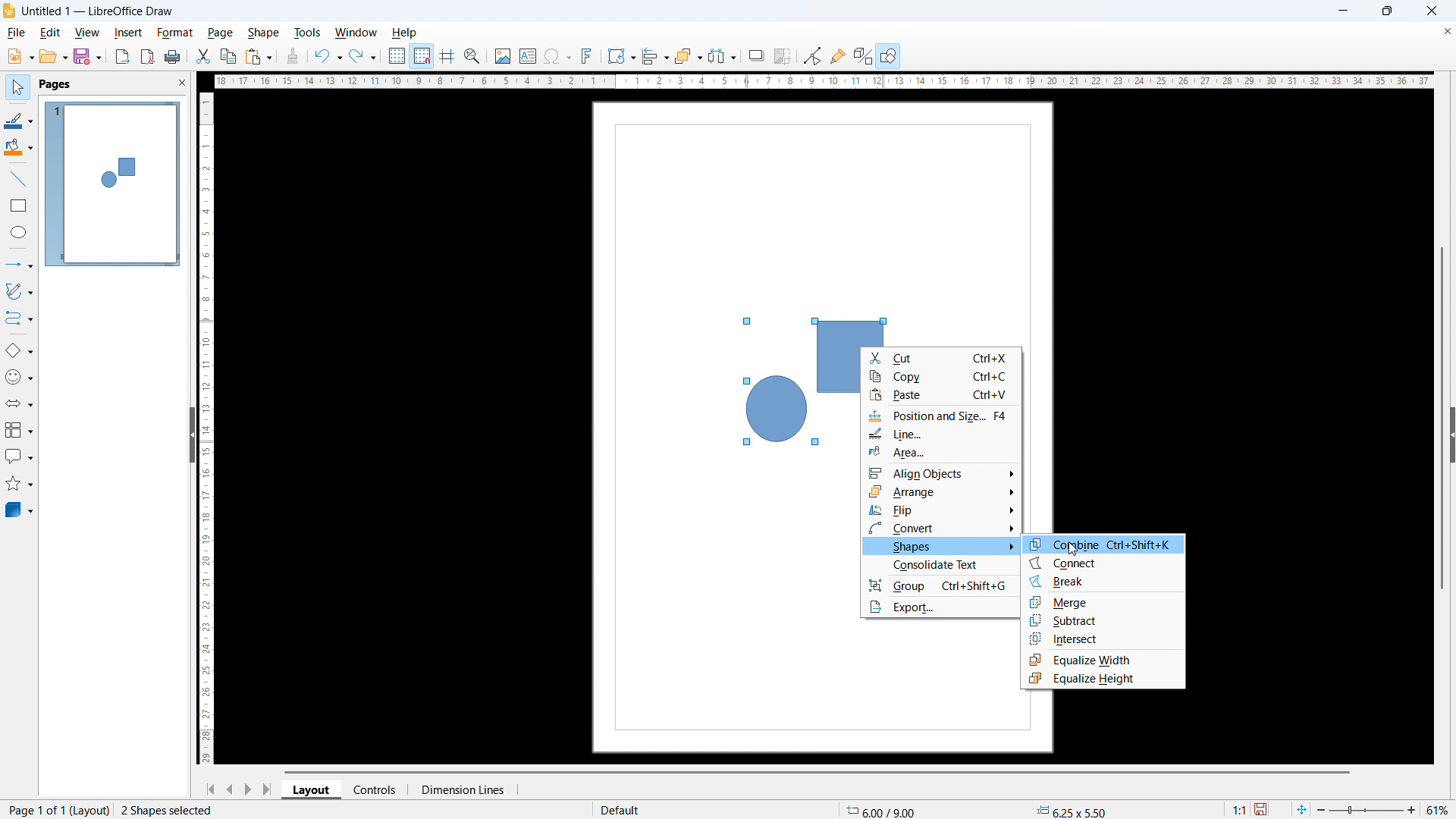 This screenshot has width=1456, height=819. I want to click on insert symbols, so click(557, 57).